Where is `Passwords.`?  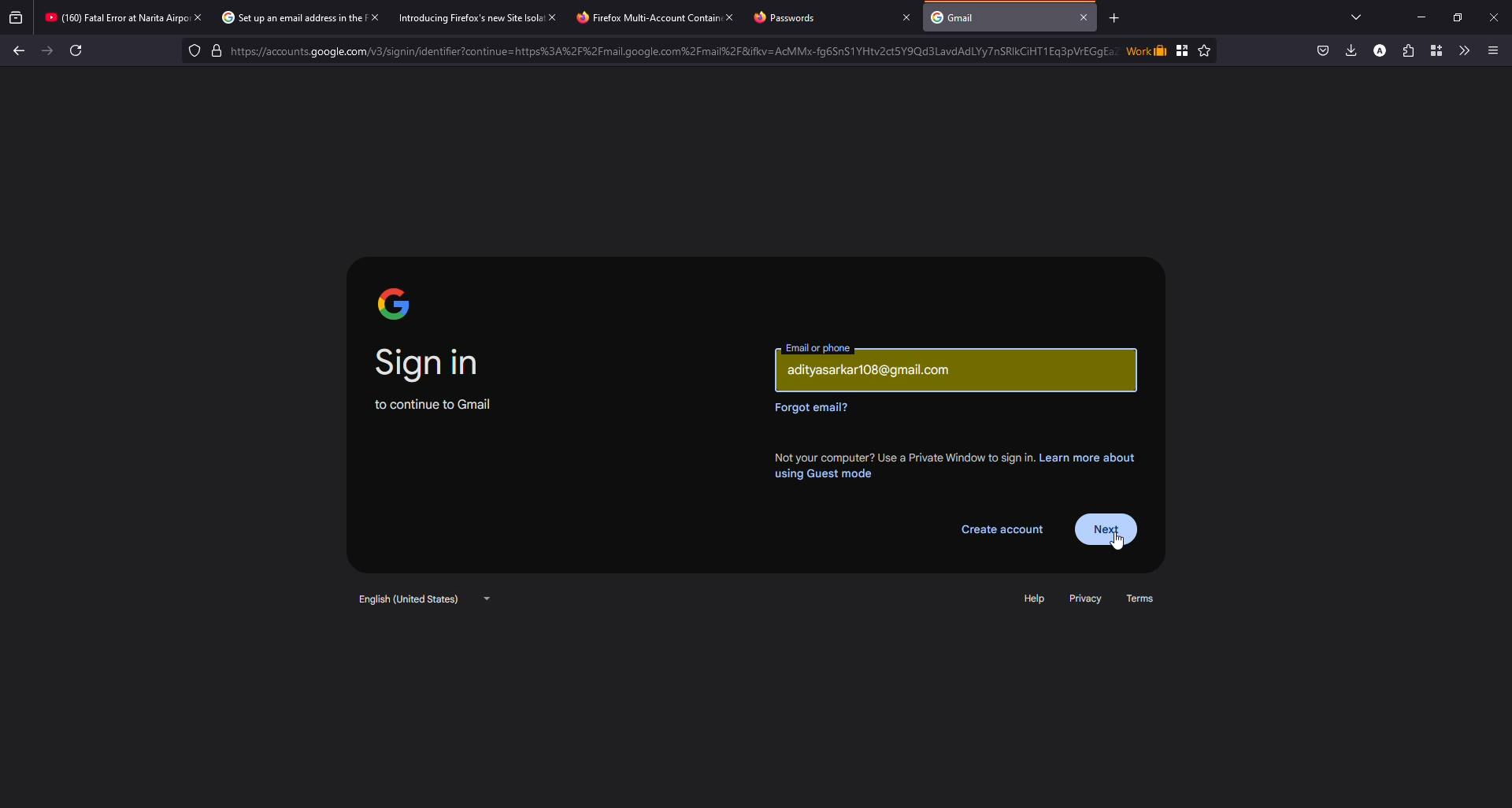 Passwords. is located at coordinates (790, 18).